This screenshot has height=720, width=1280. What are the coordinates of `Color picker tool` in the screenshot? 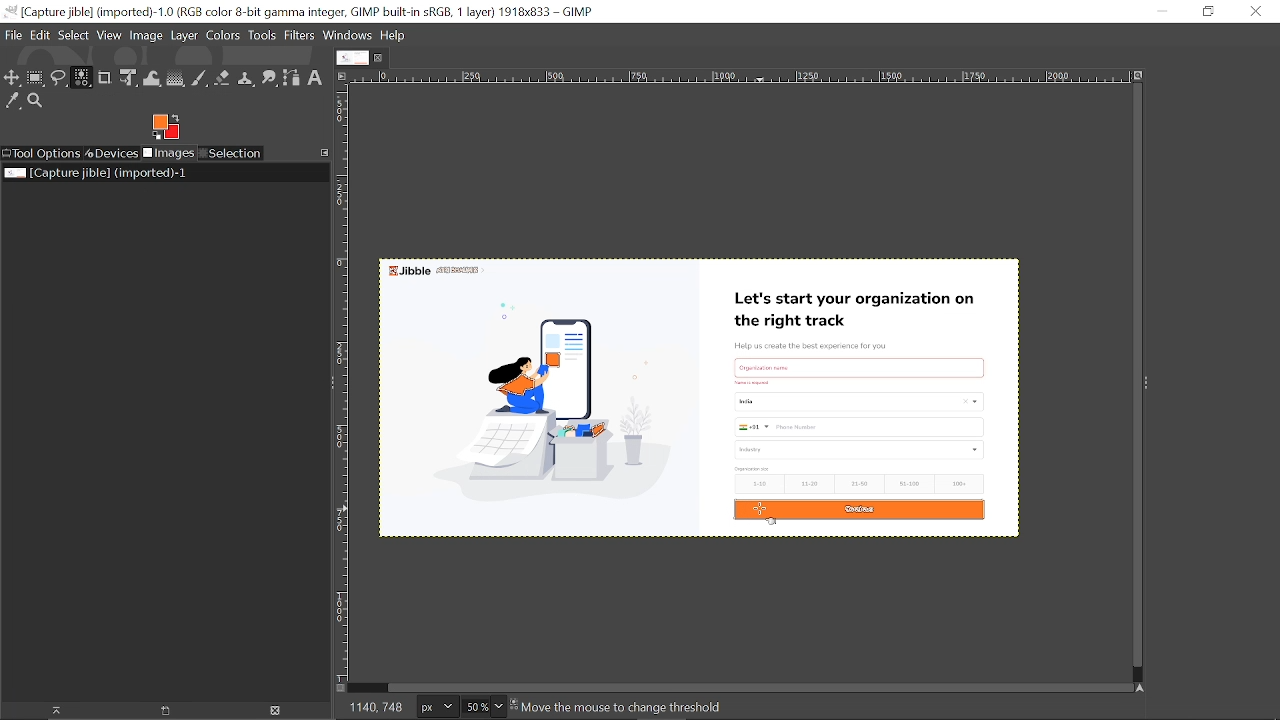 It's located at (13, 102).